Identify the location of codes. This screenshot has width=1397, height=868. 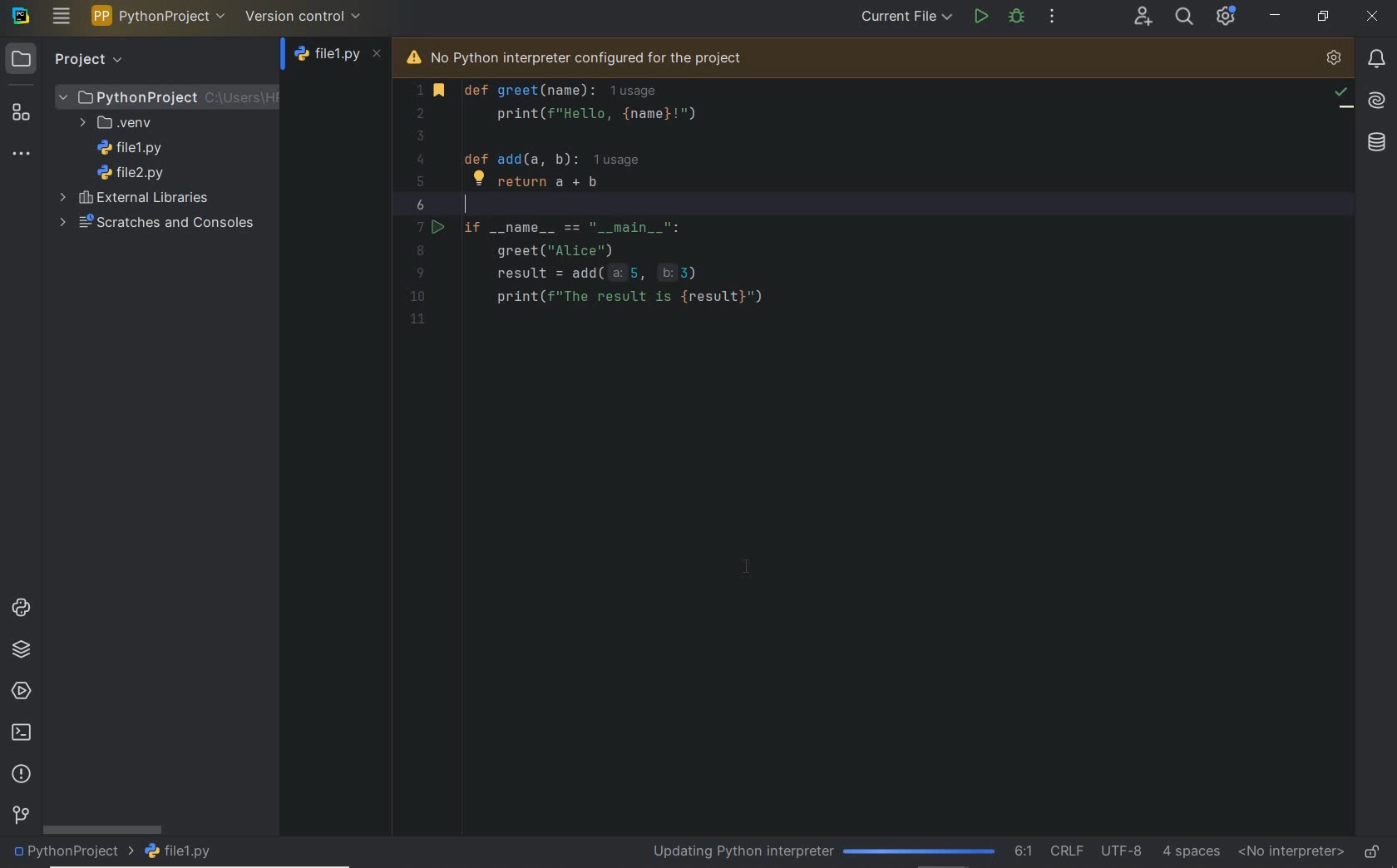
(707, 214).